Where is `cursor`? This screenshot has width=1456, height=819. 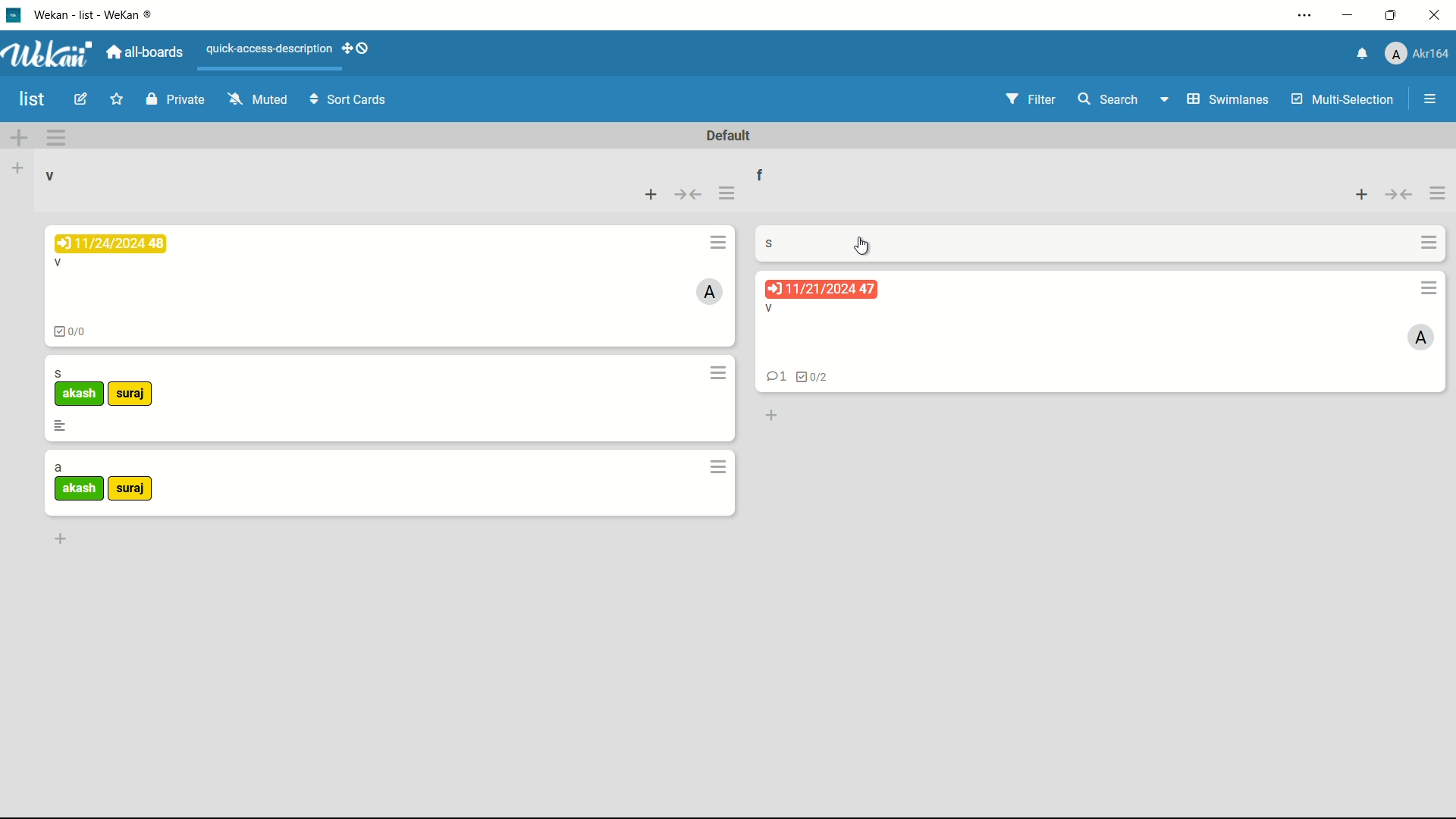 cursor is located at coordinates (861, 247).